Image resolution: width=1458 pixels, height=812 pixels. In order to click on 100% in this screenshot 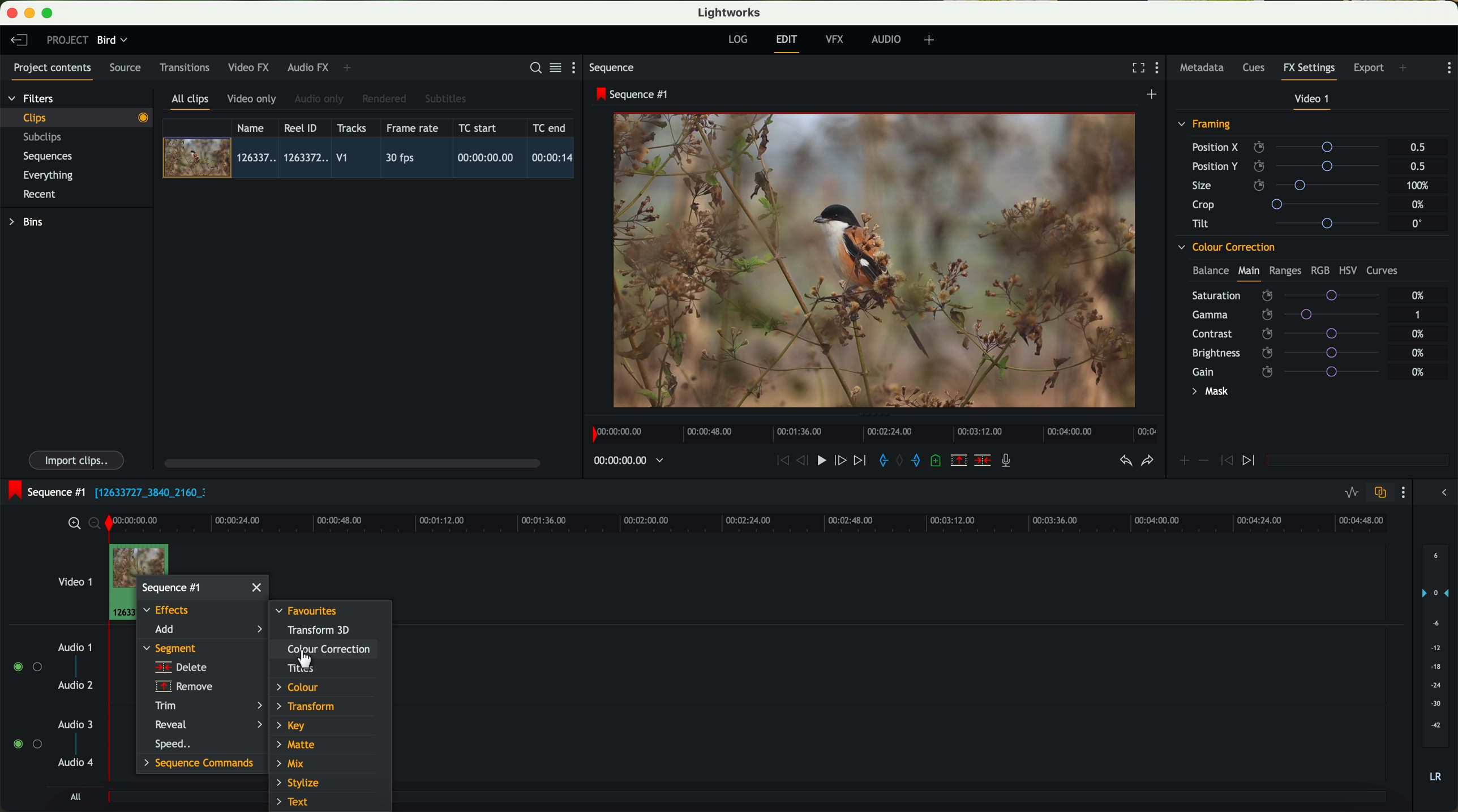, I will do `click(1421, 186)`.